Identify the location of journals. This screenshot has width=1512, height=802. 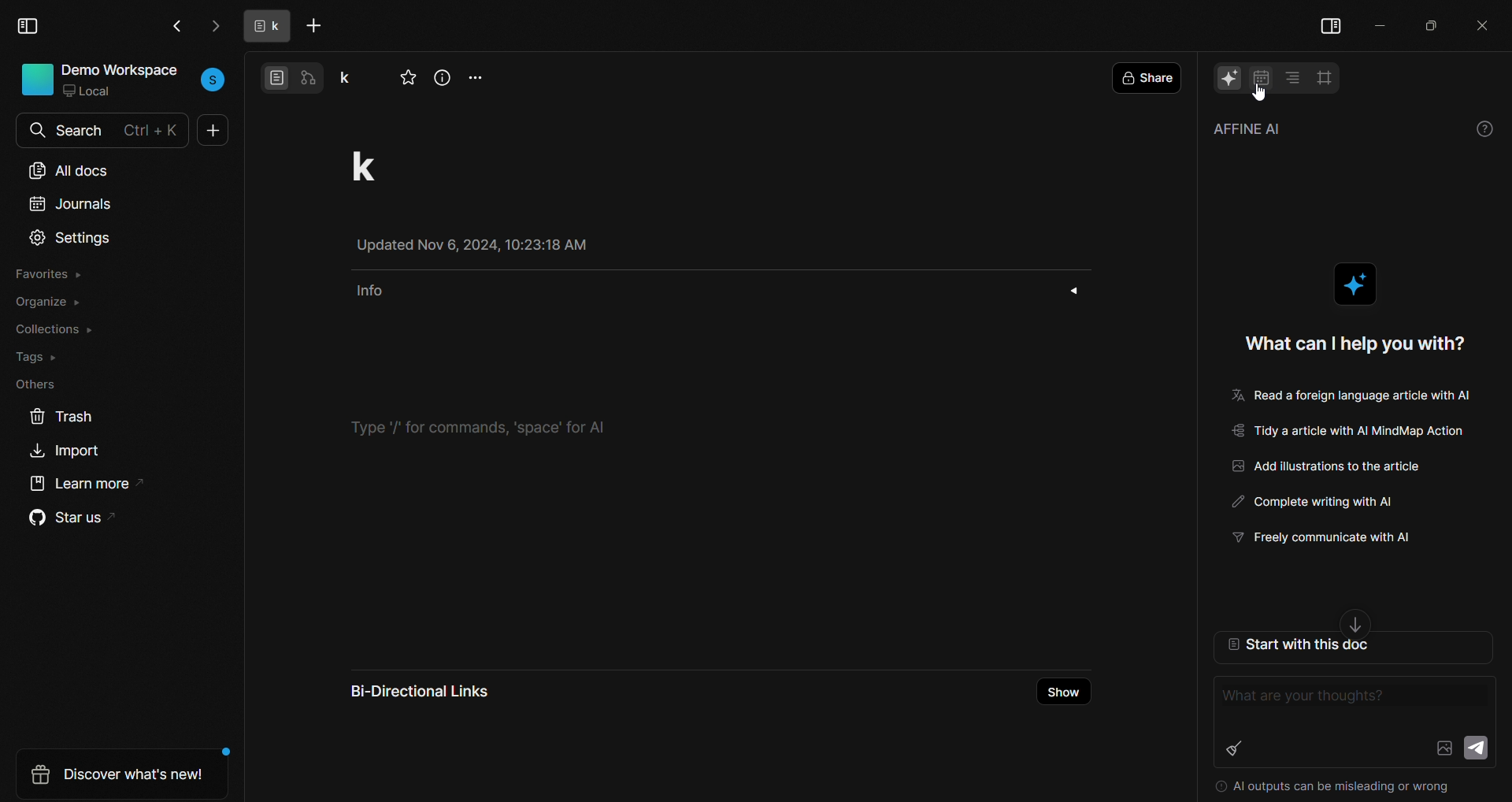
(69, 207).